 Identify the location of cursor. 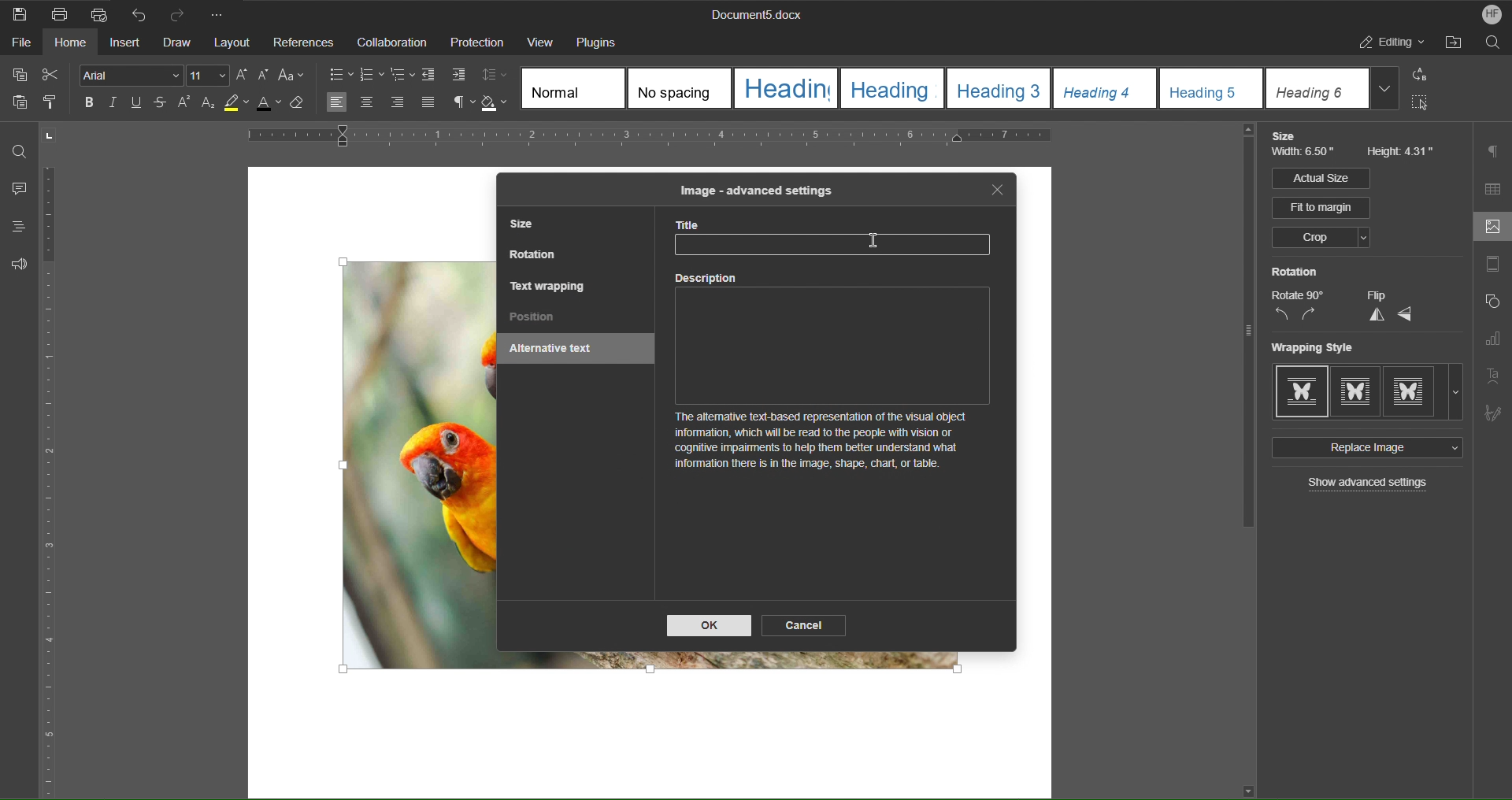
(869, 241).